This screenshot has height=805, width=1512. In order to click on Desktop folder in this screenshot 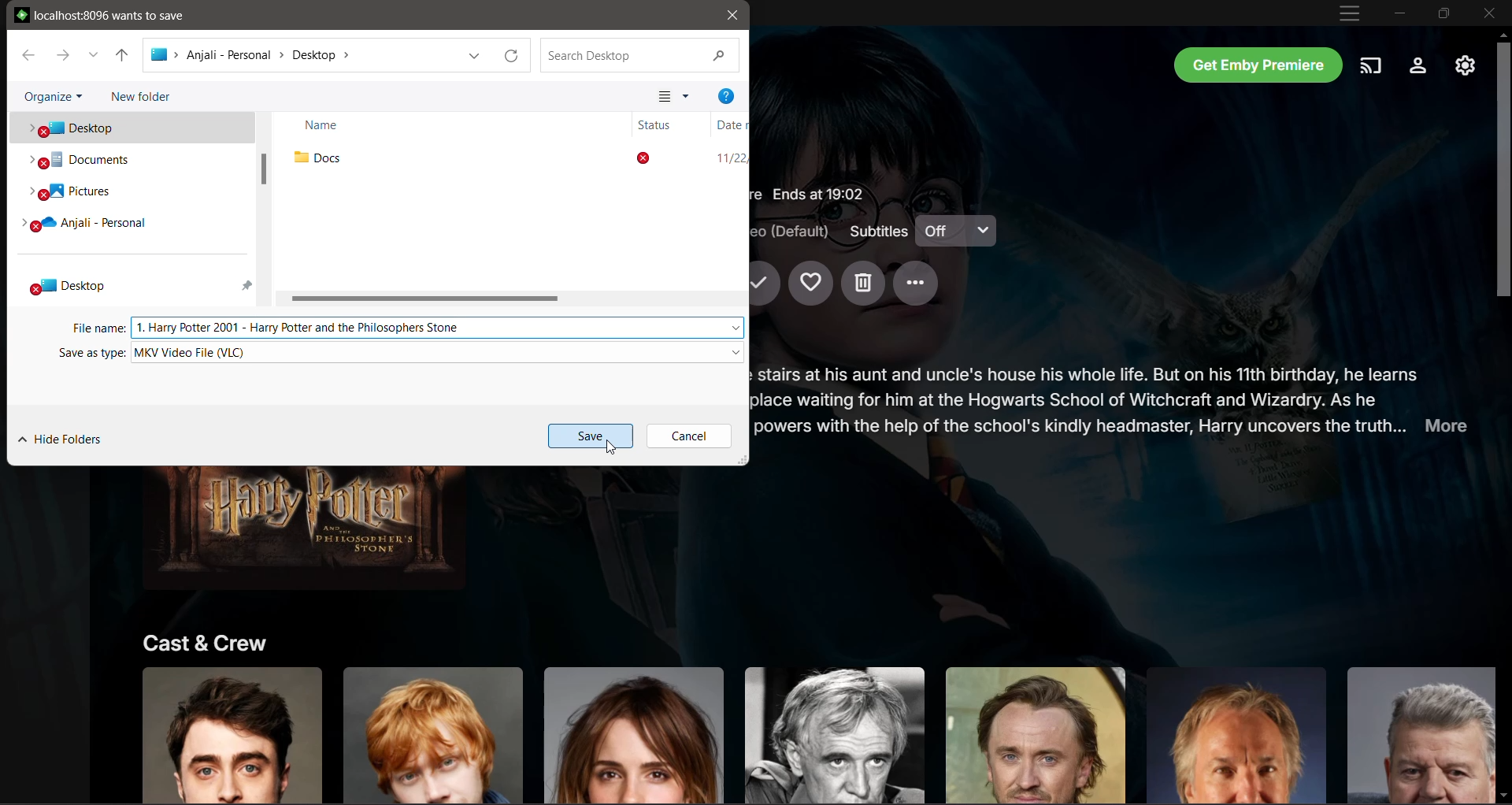, I will do `click(132, 286)`.